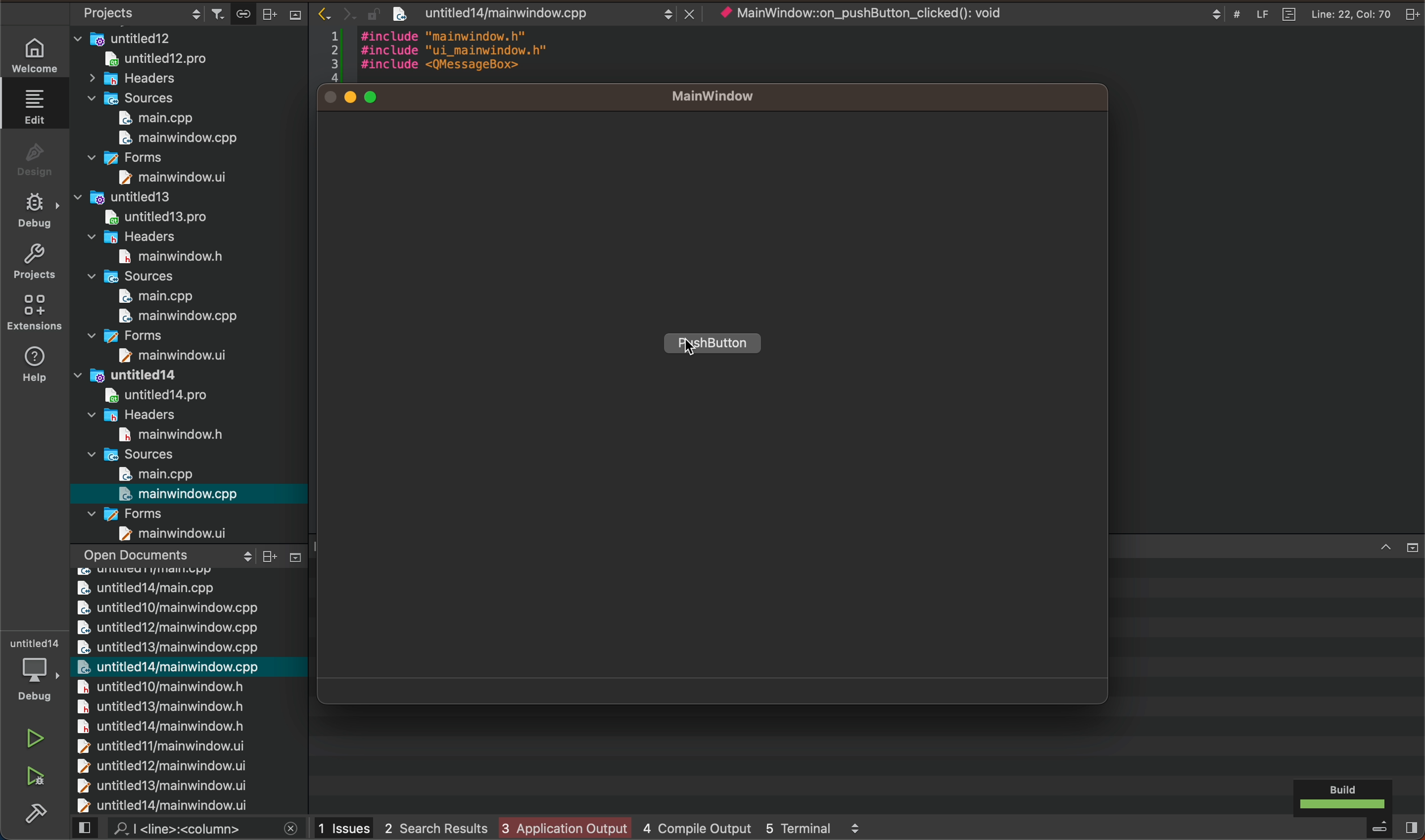 The width and height of the screenshot is (1425, 840). Describe the element at coordinates (144, 393) in the screenshot. I see `untitled14 pro` at that location.